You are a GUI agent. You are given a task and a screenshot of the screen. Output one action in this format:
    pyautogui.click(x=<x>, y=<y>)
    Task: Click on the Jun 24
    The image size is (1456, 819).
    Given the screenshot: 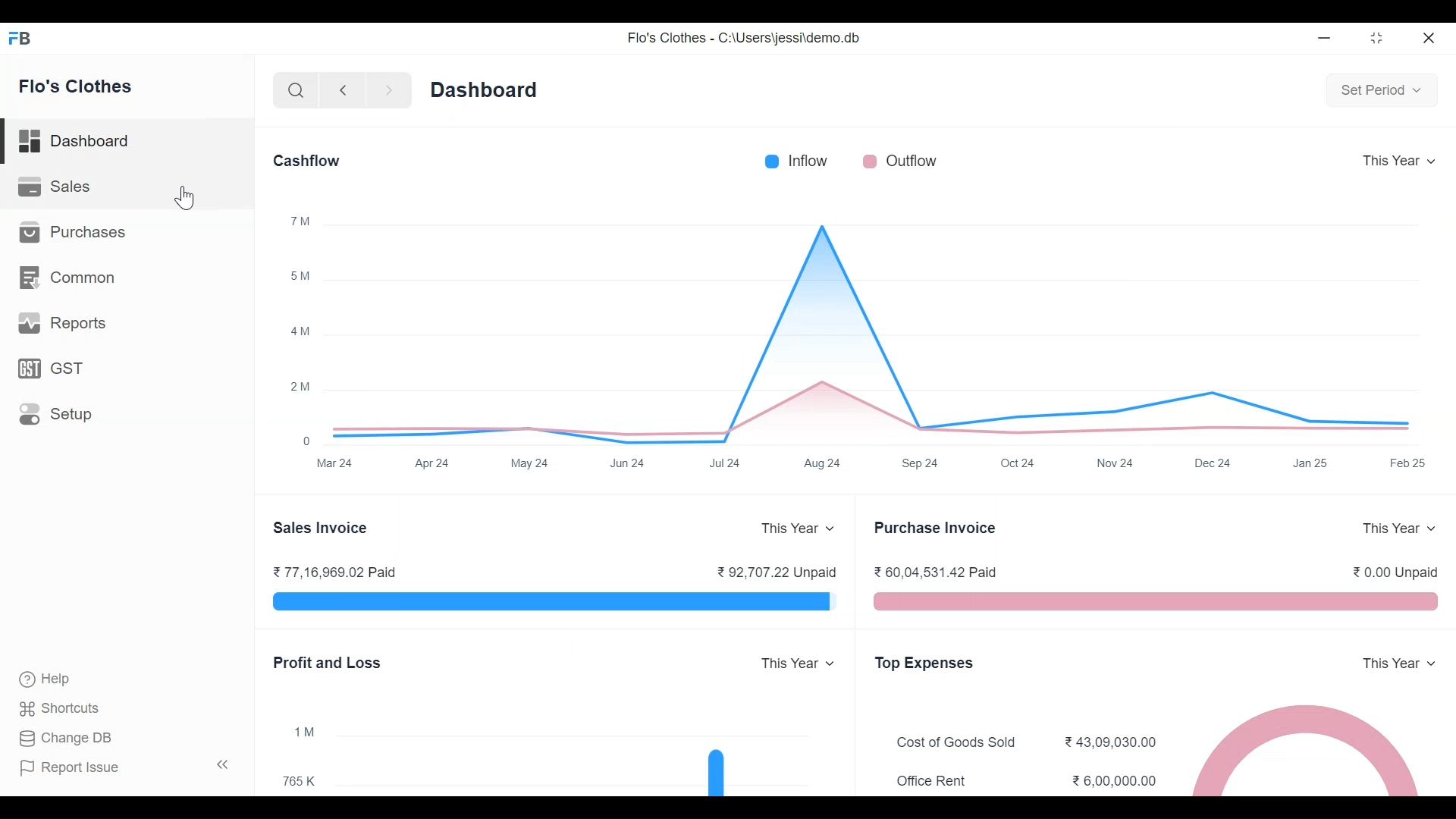 What is the action you would take?
    pyautogui.click(x=628, y=463)
    